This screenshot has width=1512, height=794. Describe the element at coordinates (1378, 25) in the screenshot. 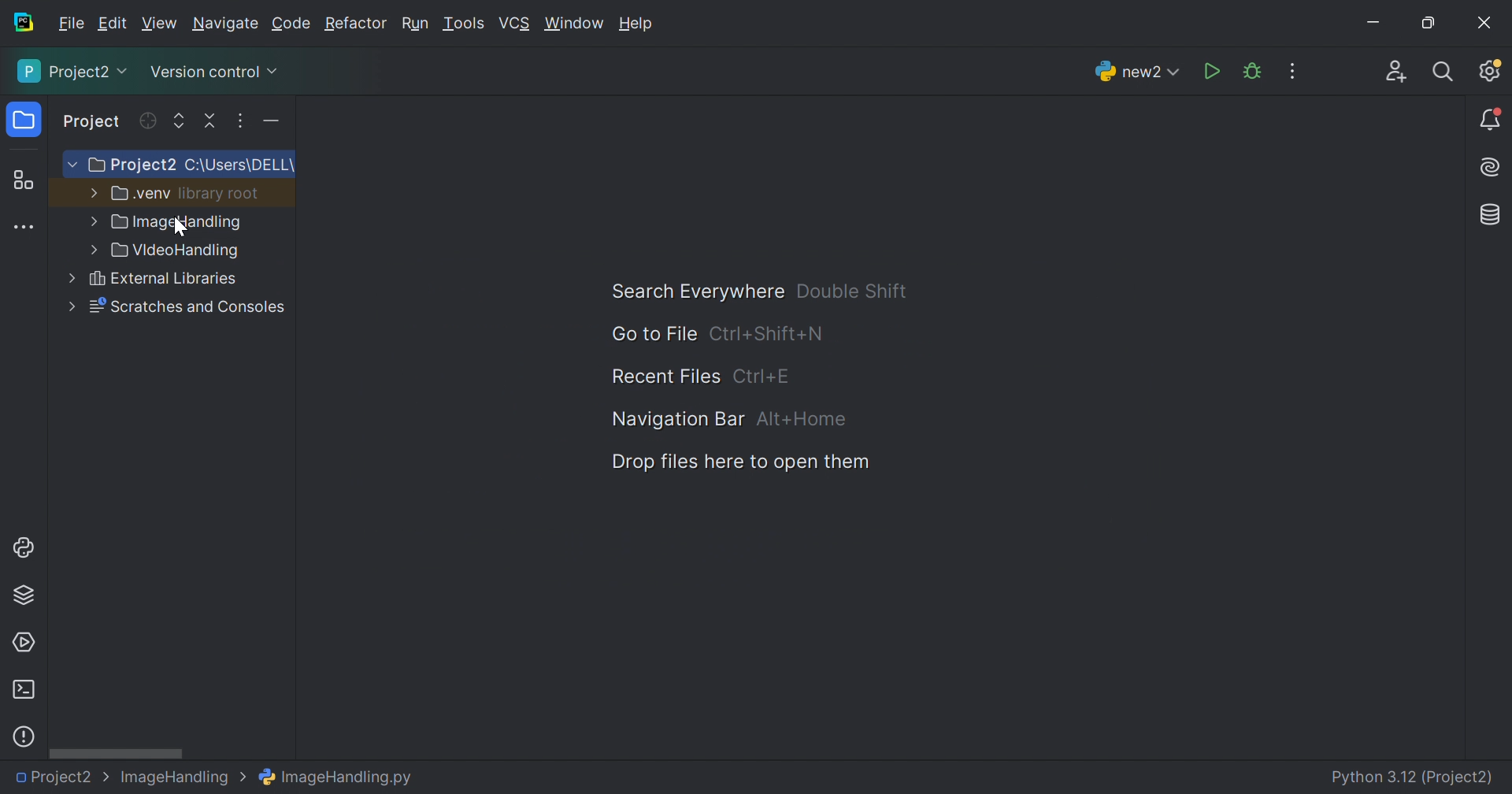

I see `Minimize` at that location.